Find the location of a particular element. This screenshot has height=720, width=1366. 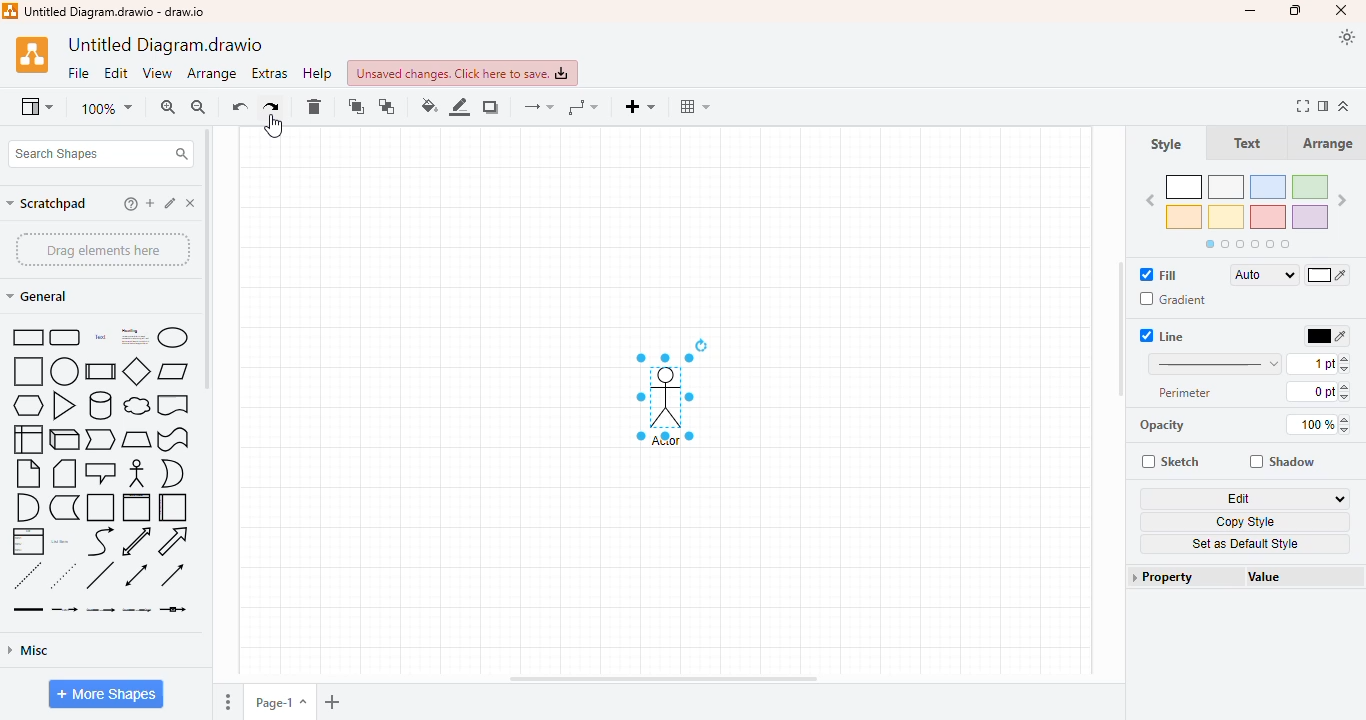

title is located at coordinates (115, 11).